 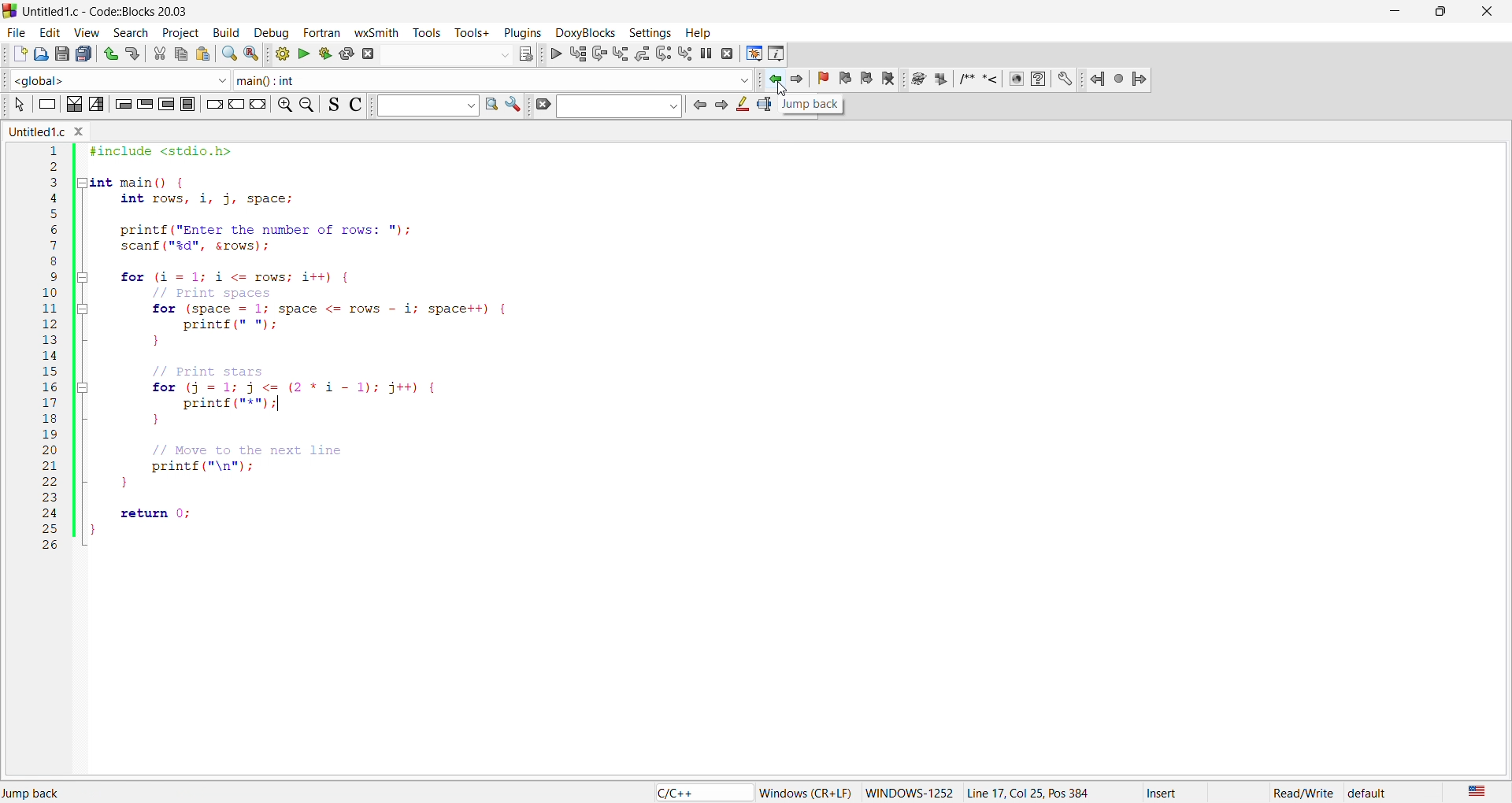 What do you see at coordinates (82, 54) in the screenshot?
I see `save all` at bounding box center [82, 54].